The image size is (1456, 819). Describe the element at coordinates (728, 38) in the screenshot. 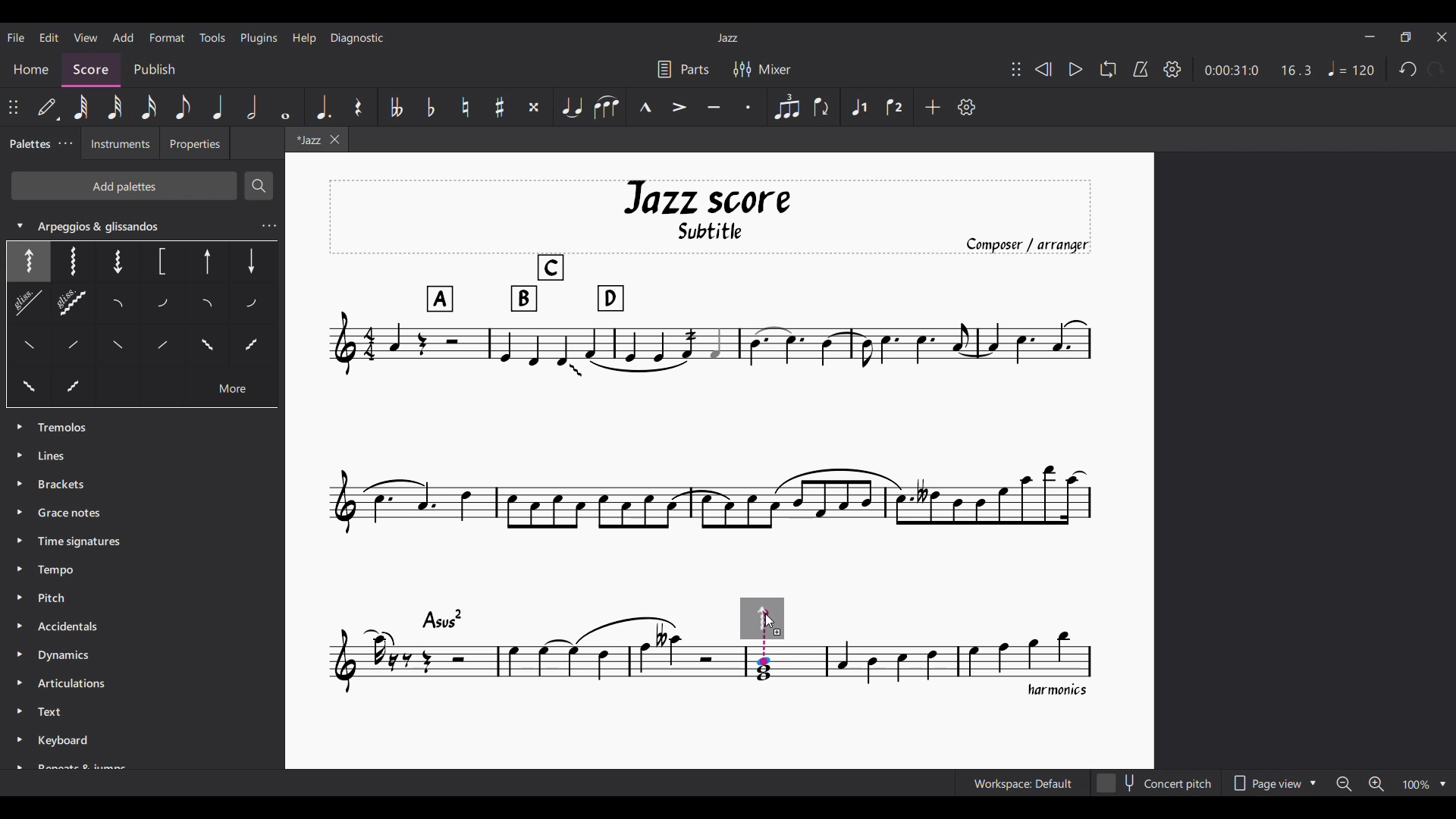

I see `Current score title` at that location.